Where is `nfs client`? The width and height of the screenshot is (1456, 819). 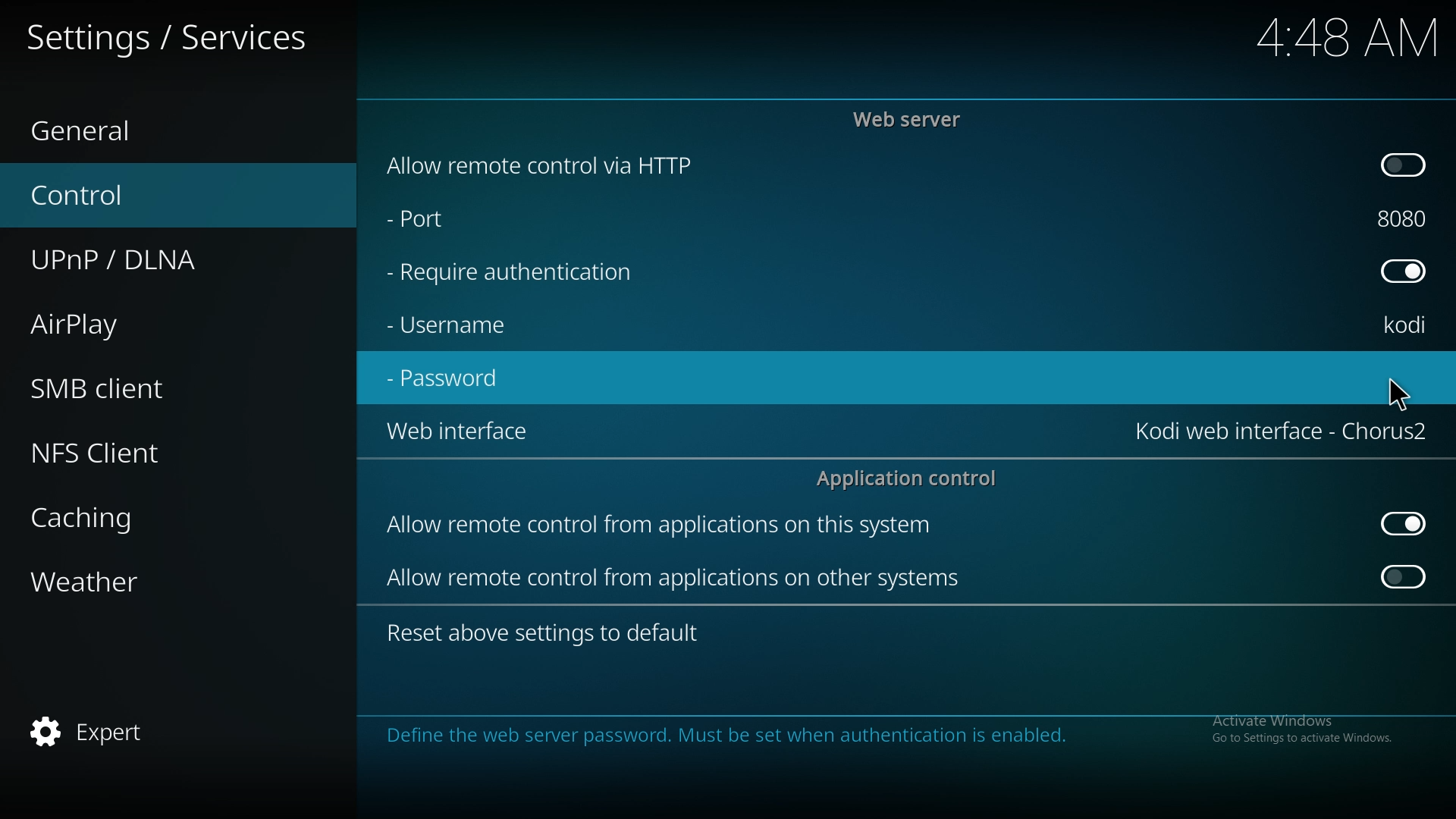
nfs client is located at coordinates (121, 448).